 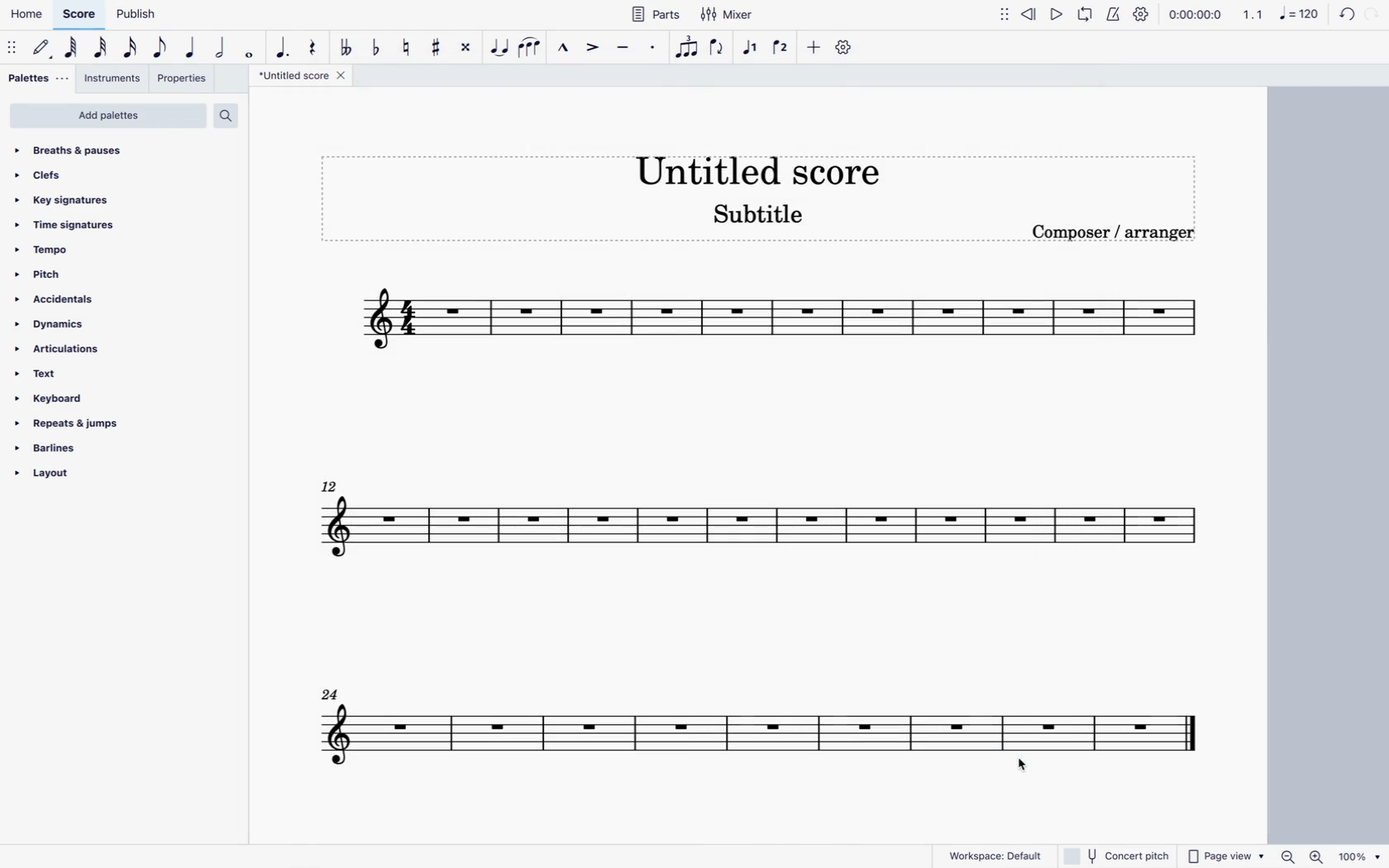 What do you see at coordinates (45, 375) in the screenshot?
I see `text` at bounding box center [45, 375].